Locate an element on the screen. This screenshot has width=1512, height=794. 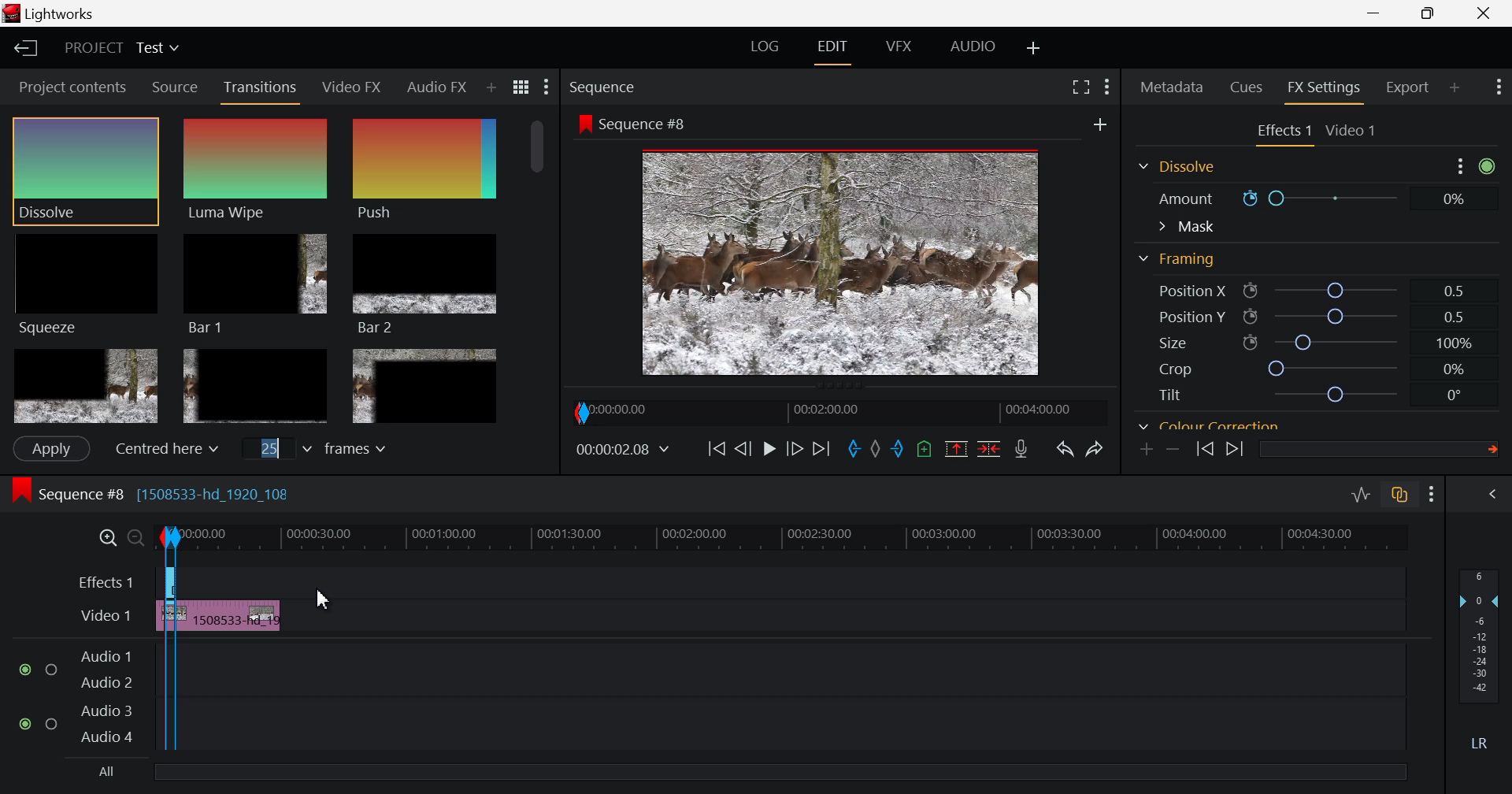
Bar 2 is located at coordinates (426, 284).